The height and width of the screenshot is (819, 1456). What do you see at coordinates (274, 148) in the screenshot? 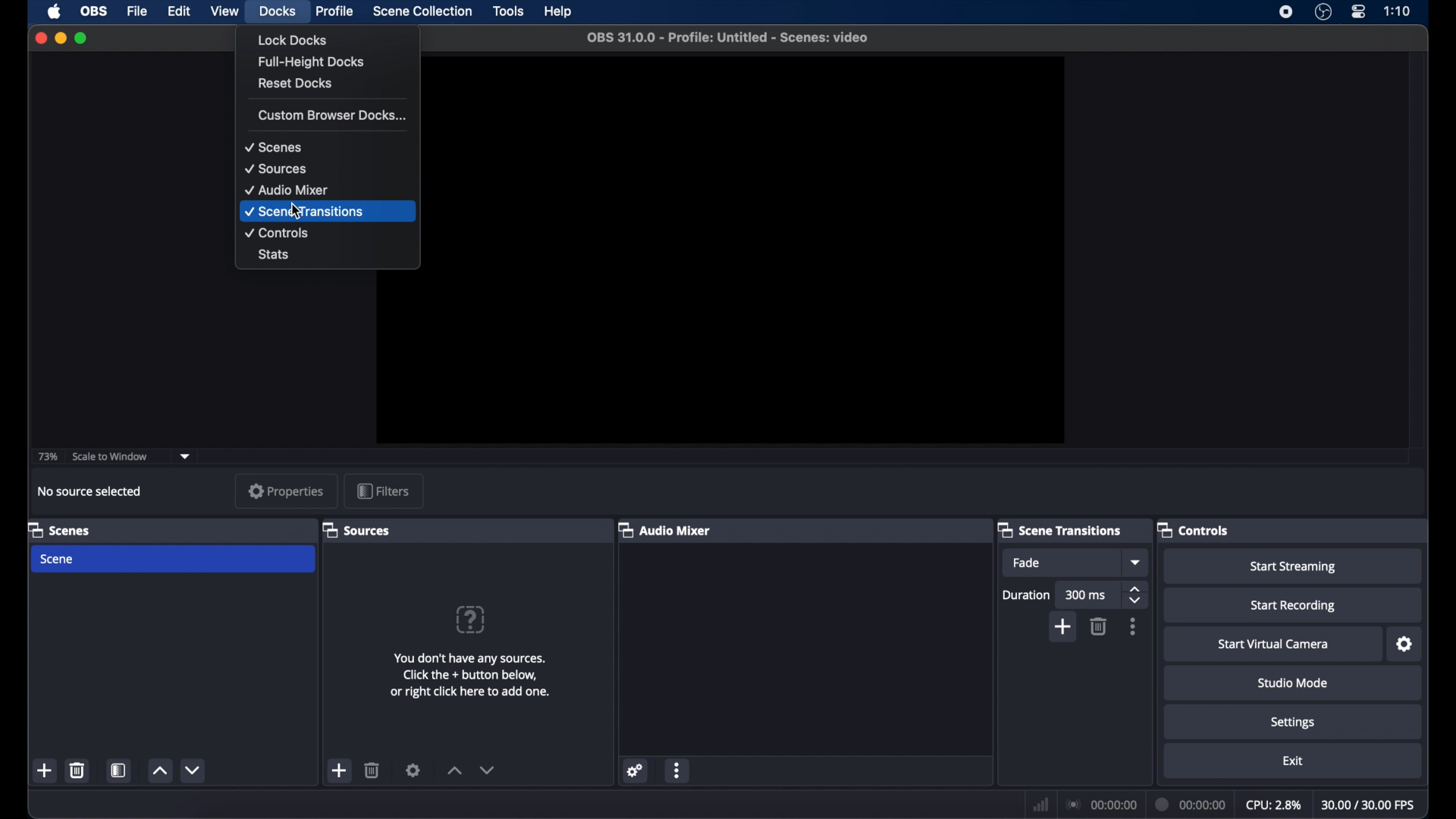
I see `scenes` at bounding box center [274, 148].